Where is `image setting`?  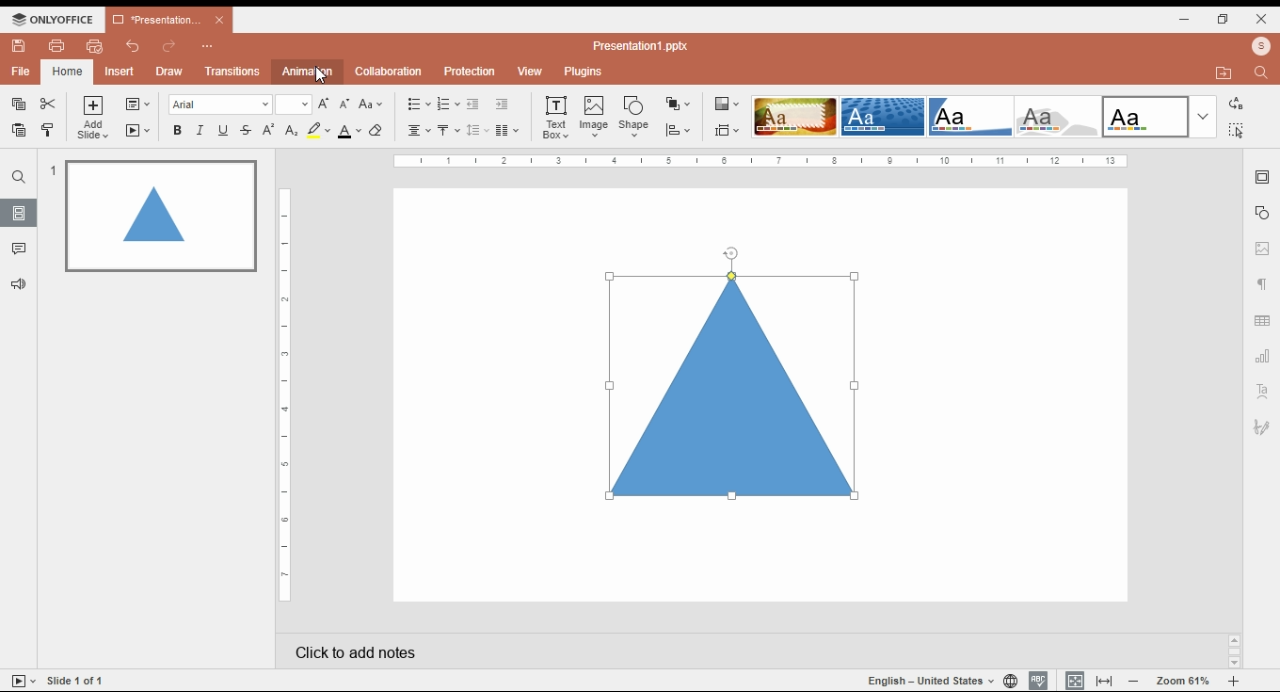
image setting is located at coordinates (1263, 249).